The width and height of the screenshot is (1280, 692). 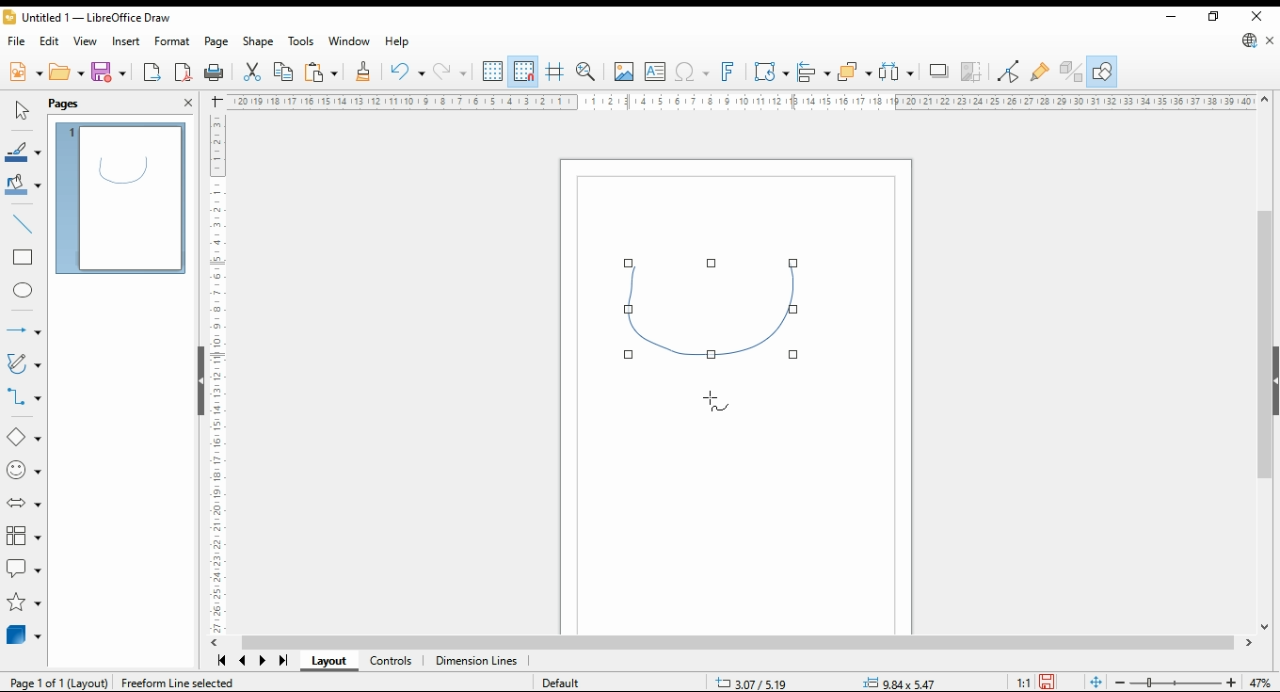 What do you see at coordinates (21, 223) in the screenshot?
I see `insert line` at bounding box center [21, 223].